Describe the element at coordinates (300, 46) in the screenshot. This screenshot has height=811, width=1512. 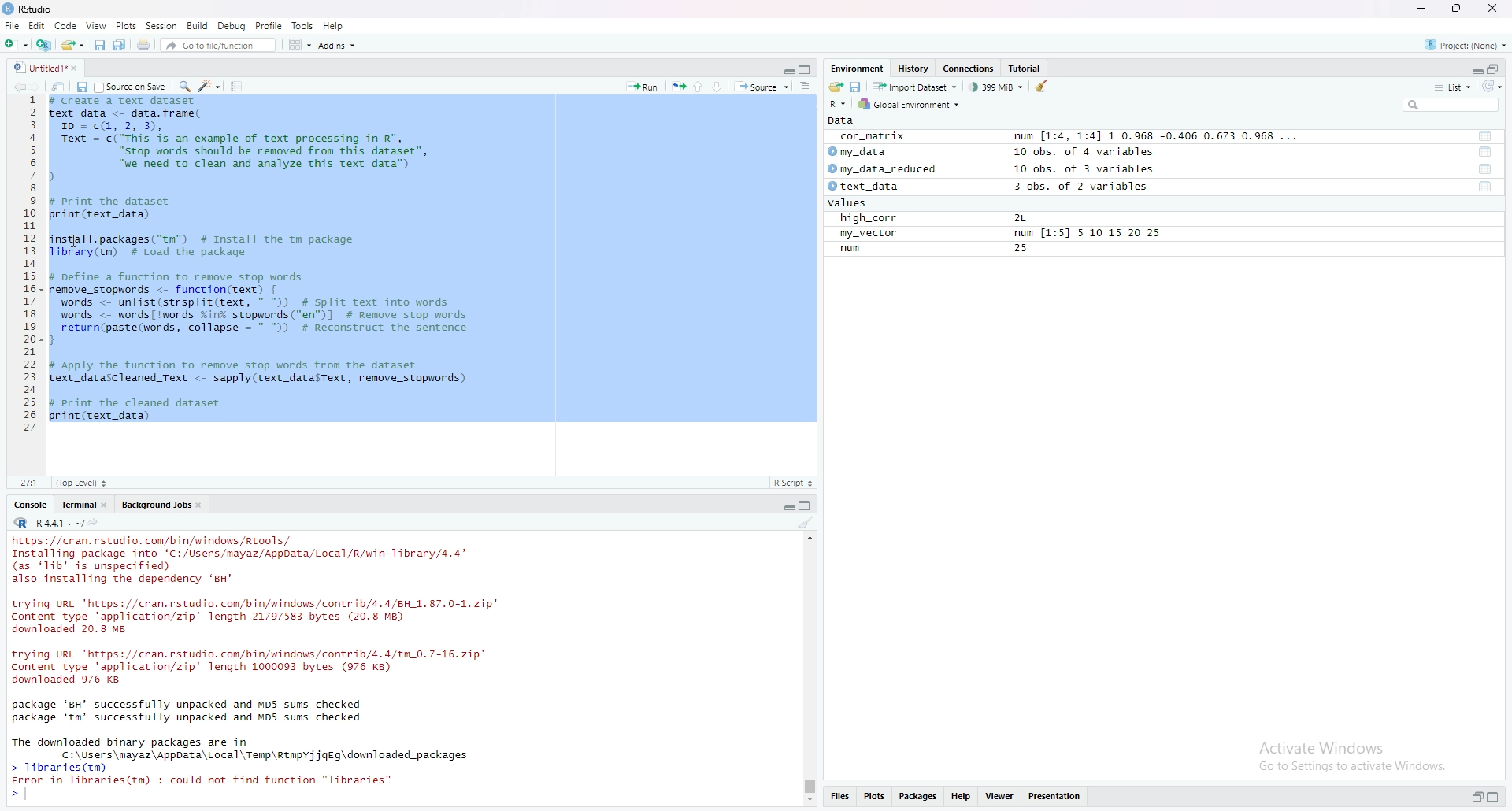
I see `workspace panes` at that location.